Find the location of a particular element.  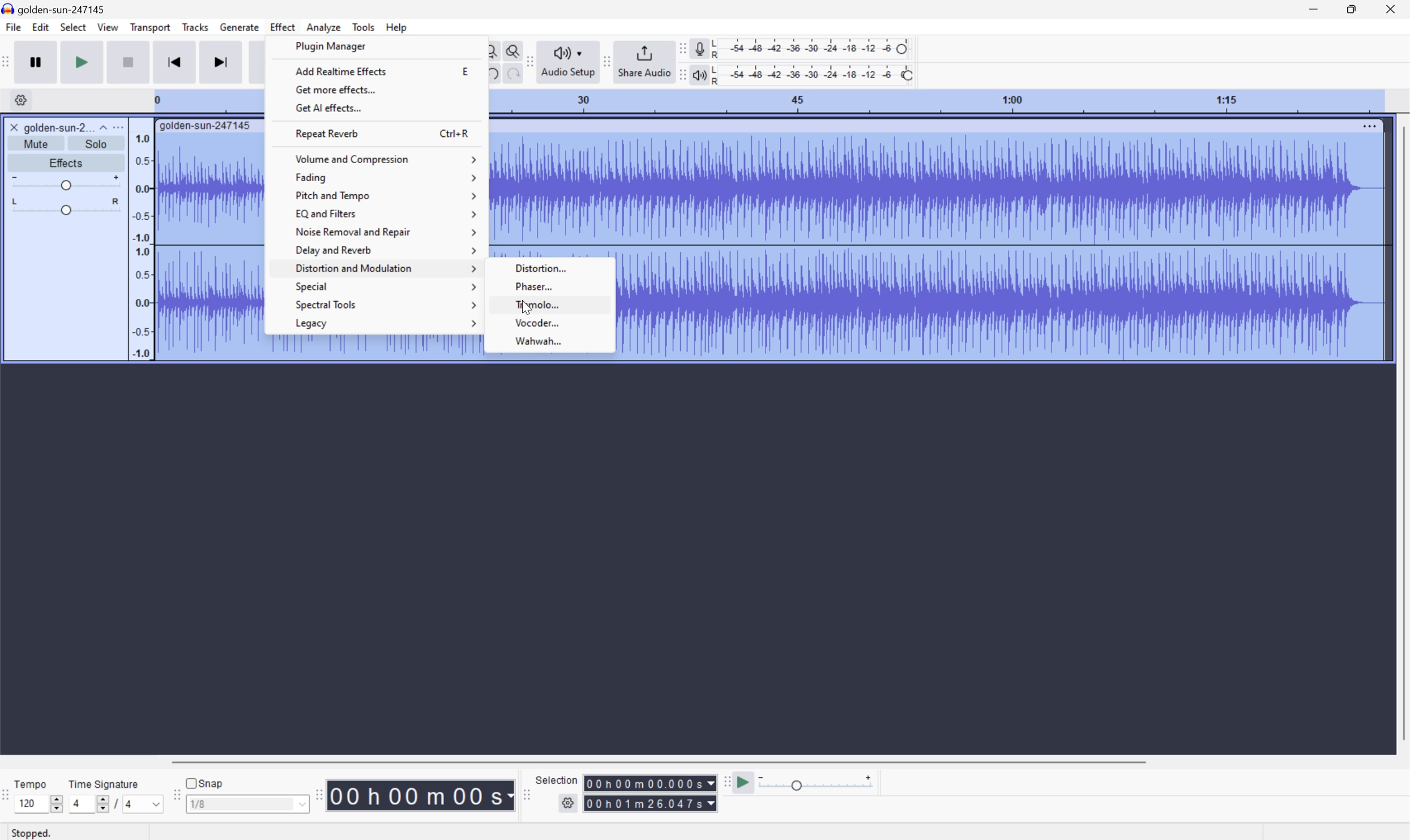

E is located at coordinates (464, 72).